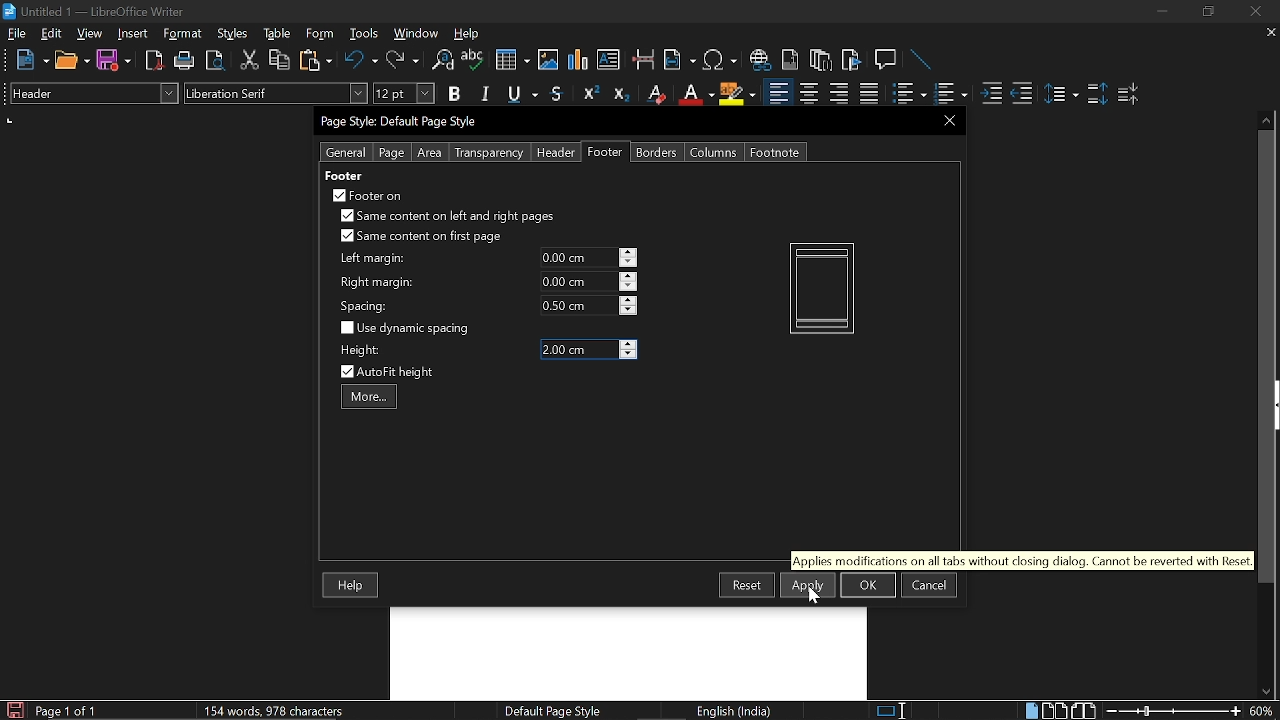  What do you see at coordinates (31, 60) in the screenshot?
I see `NEw` at bounding box center [31, 60].